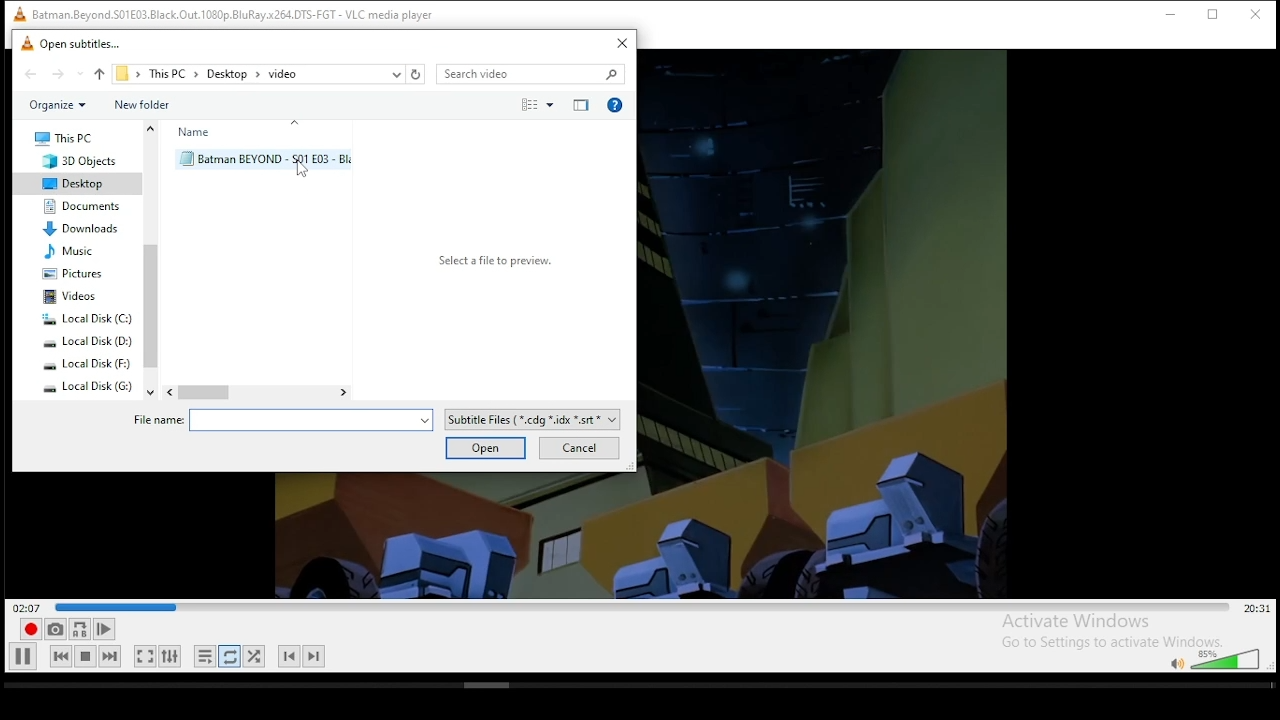 The width and height of the screenshot is (1280, 720). Describe the element at coordinates (86, 320) in the screenshot. I see `system drive 1` at that location.